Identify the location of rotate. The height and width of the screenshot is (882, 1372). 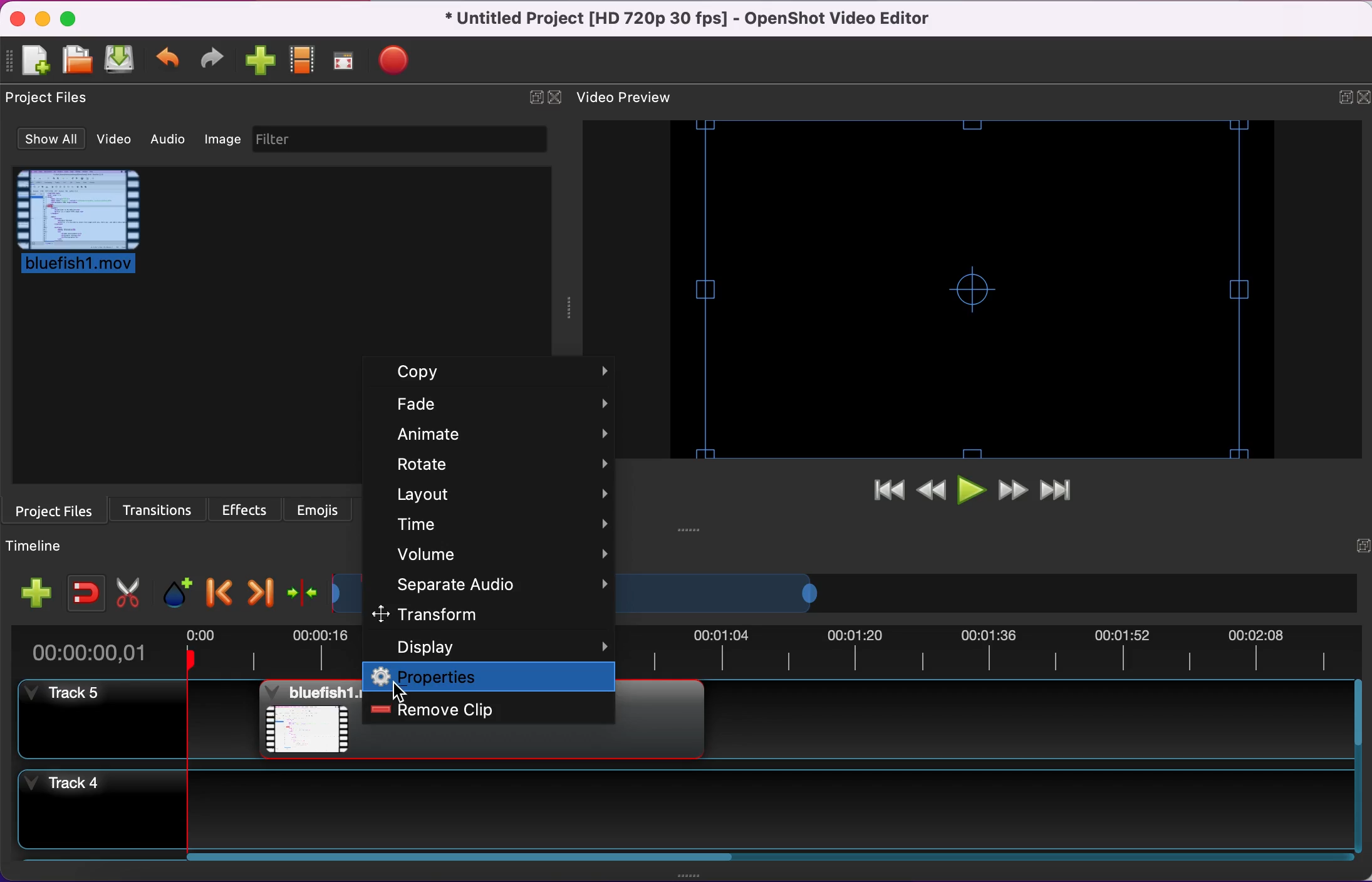
(501, 464).